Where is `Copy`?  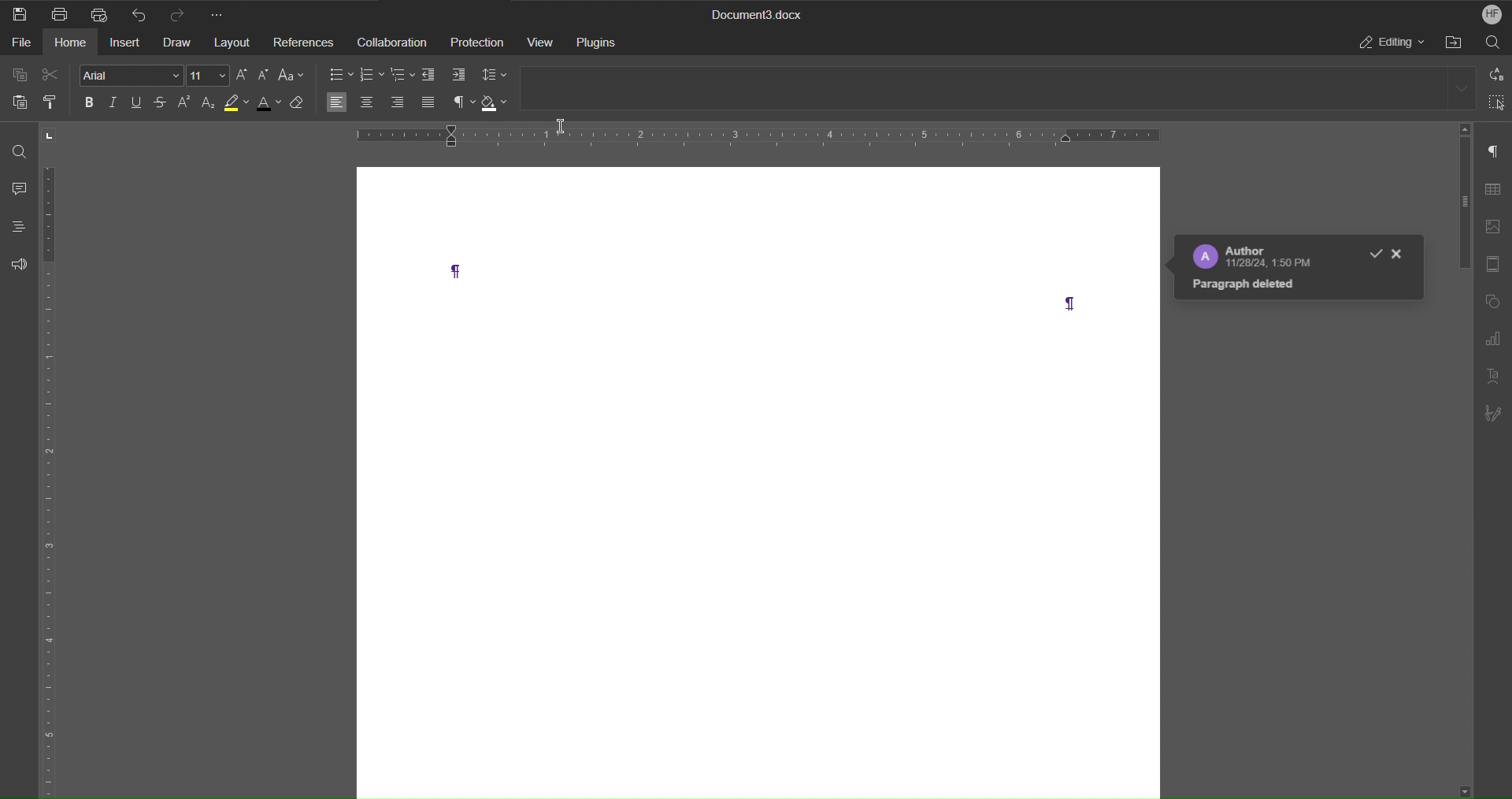 Copy is located at coordinates (21, 75).